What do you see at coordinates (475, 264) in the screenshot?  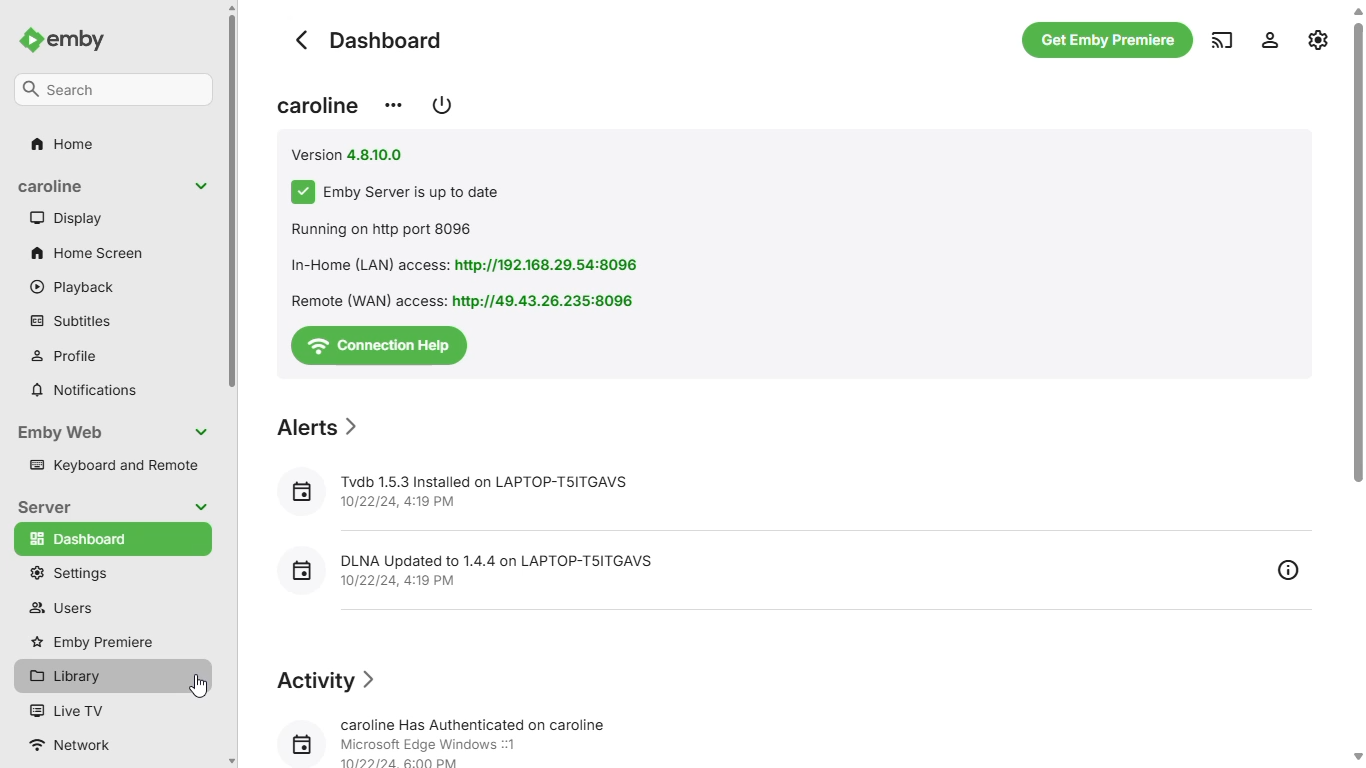 I see `In-Home (LAN) access: http://192.168.29.54:8096` at bounding box center [475, 264].